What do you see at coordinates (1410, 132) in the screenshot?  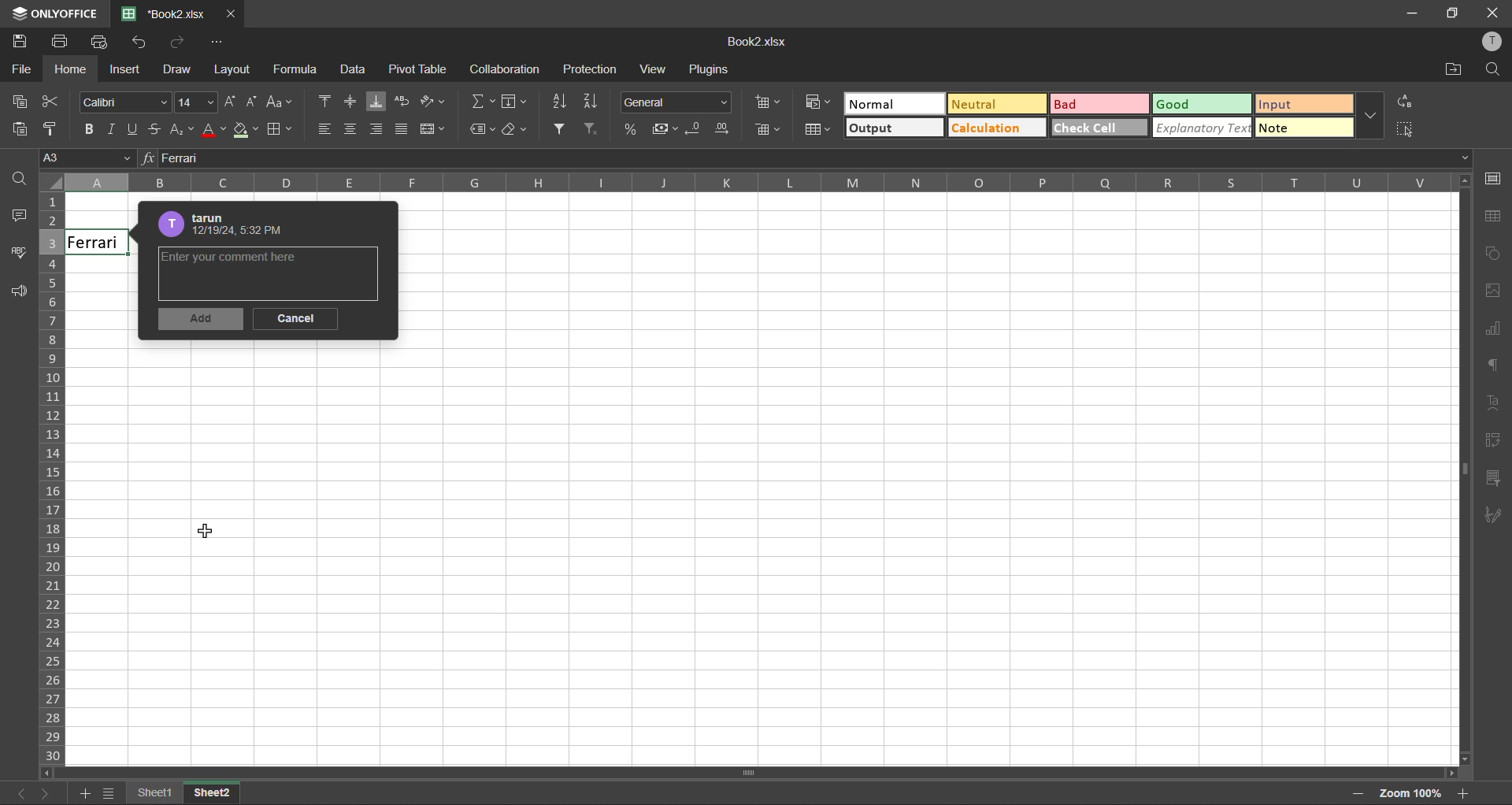 I see `select cell` at bounding box center [1410, 132].